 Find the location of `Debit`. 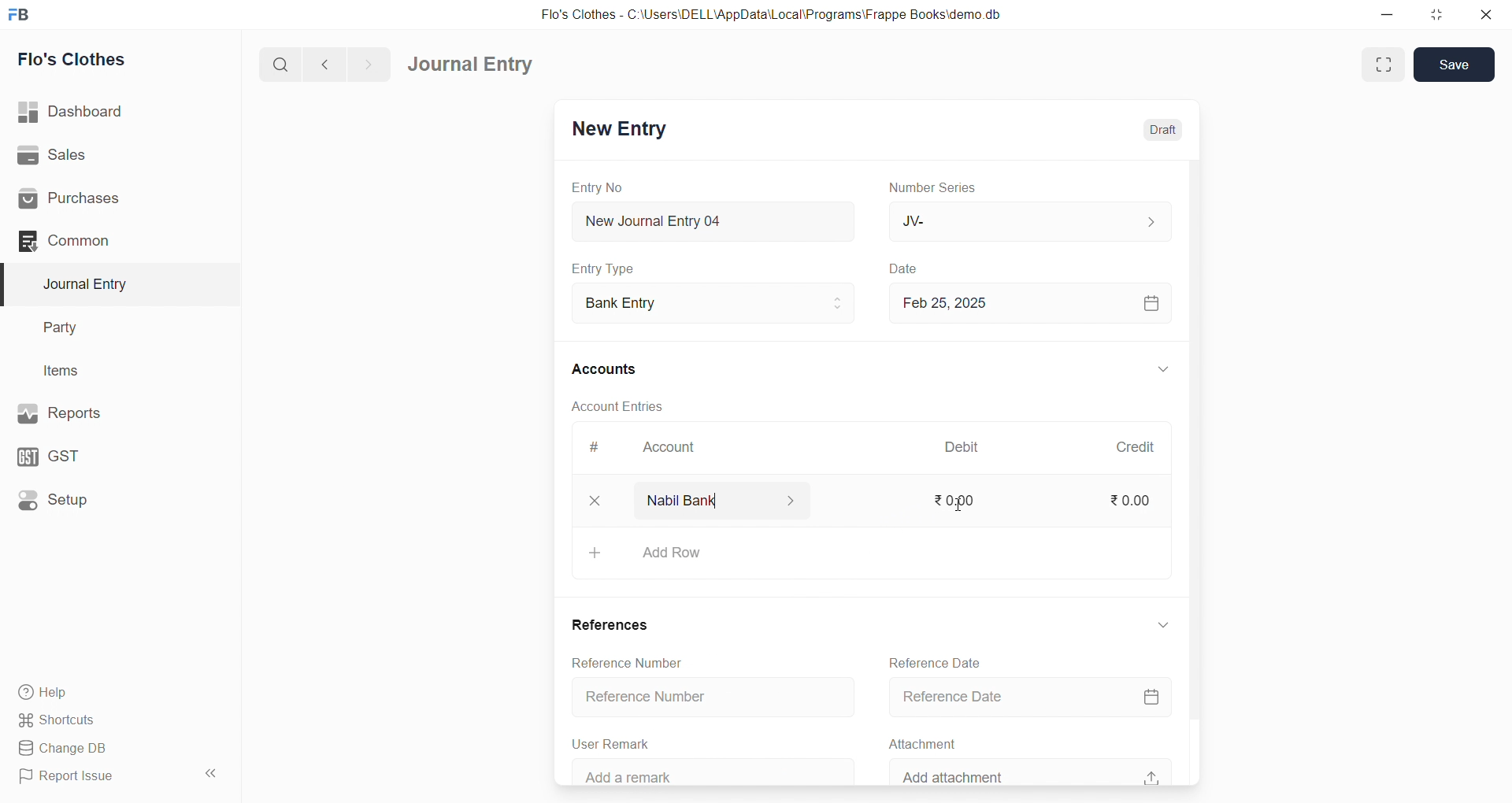

Debit is located at coordinates (962, 449).